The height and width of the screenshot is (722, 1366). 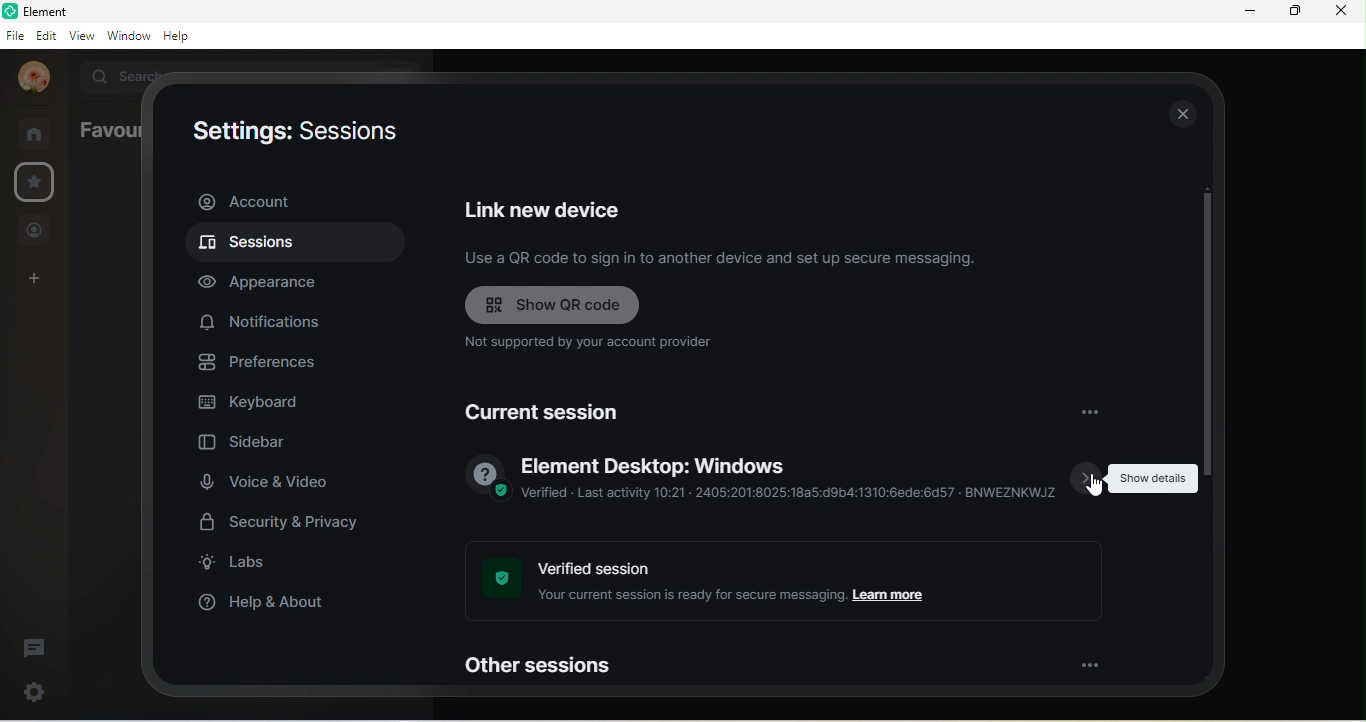 What do you see at coordinates (545, 665) in the screenshot?
I see `other sessions` at bounding box center [545, 665].